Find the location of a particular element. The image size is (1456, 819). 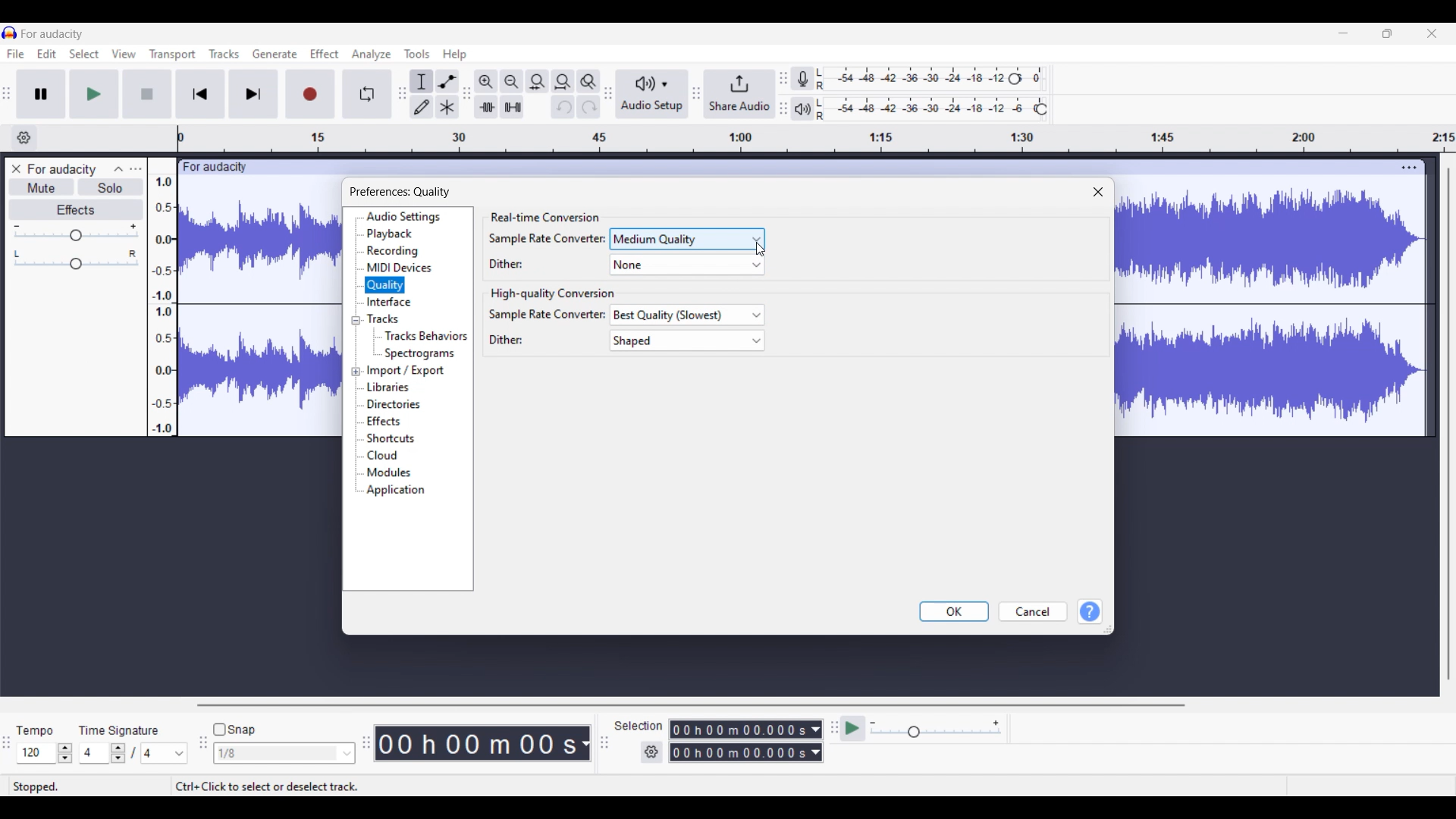

Show in smaller tab is located at coordinates (1387, 33).